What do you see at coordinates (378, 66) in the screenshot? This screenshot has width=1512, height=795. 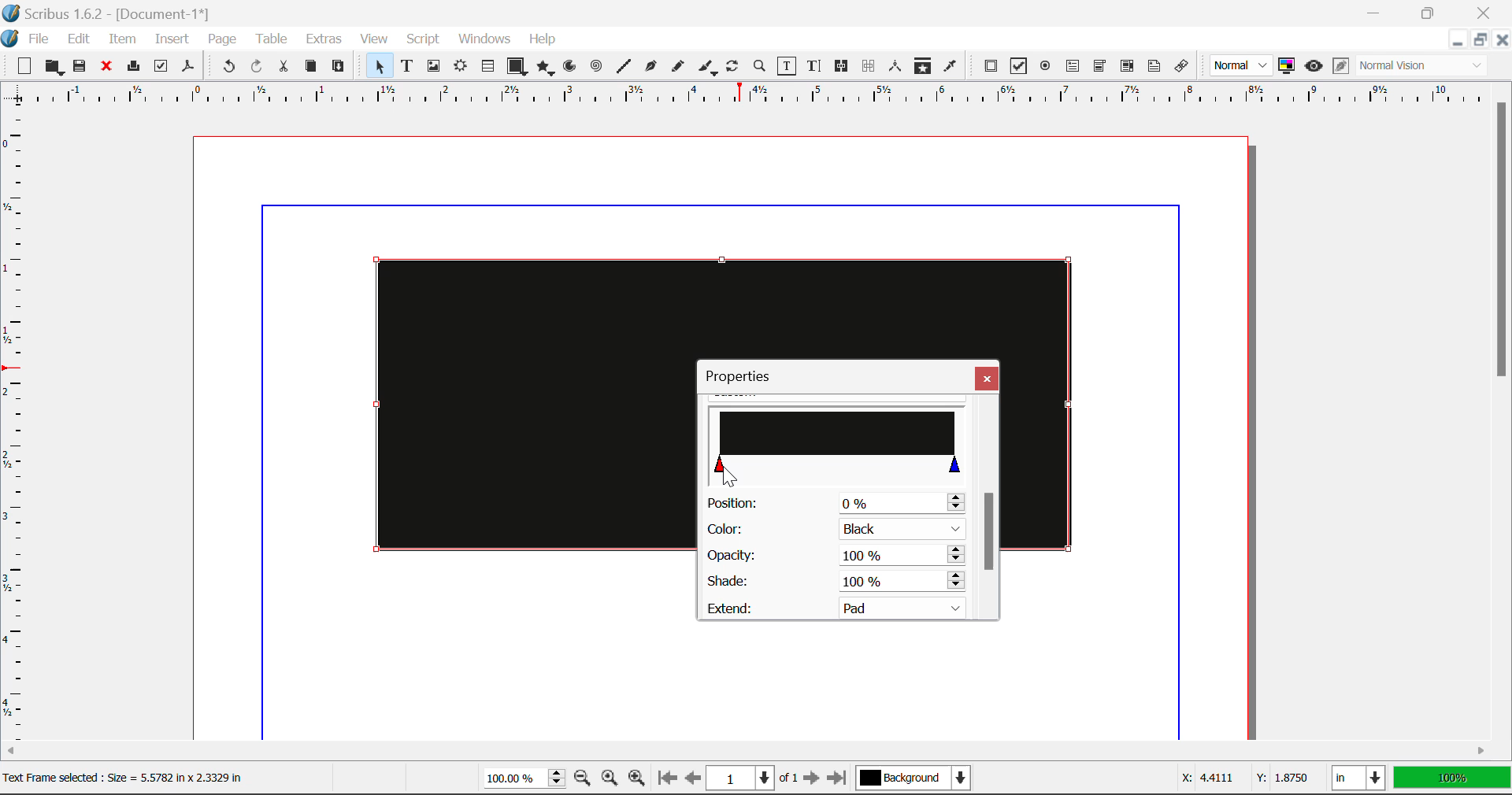 I see `Select` at bounding box center [378, 66].